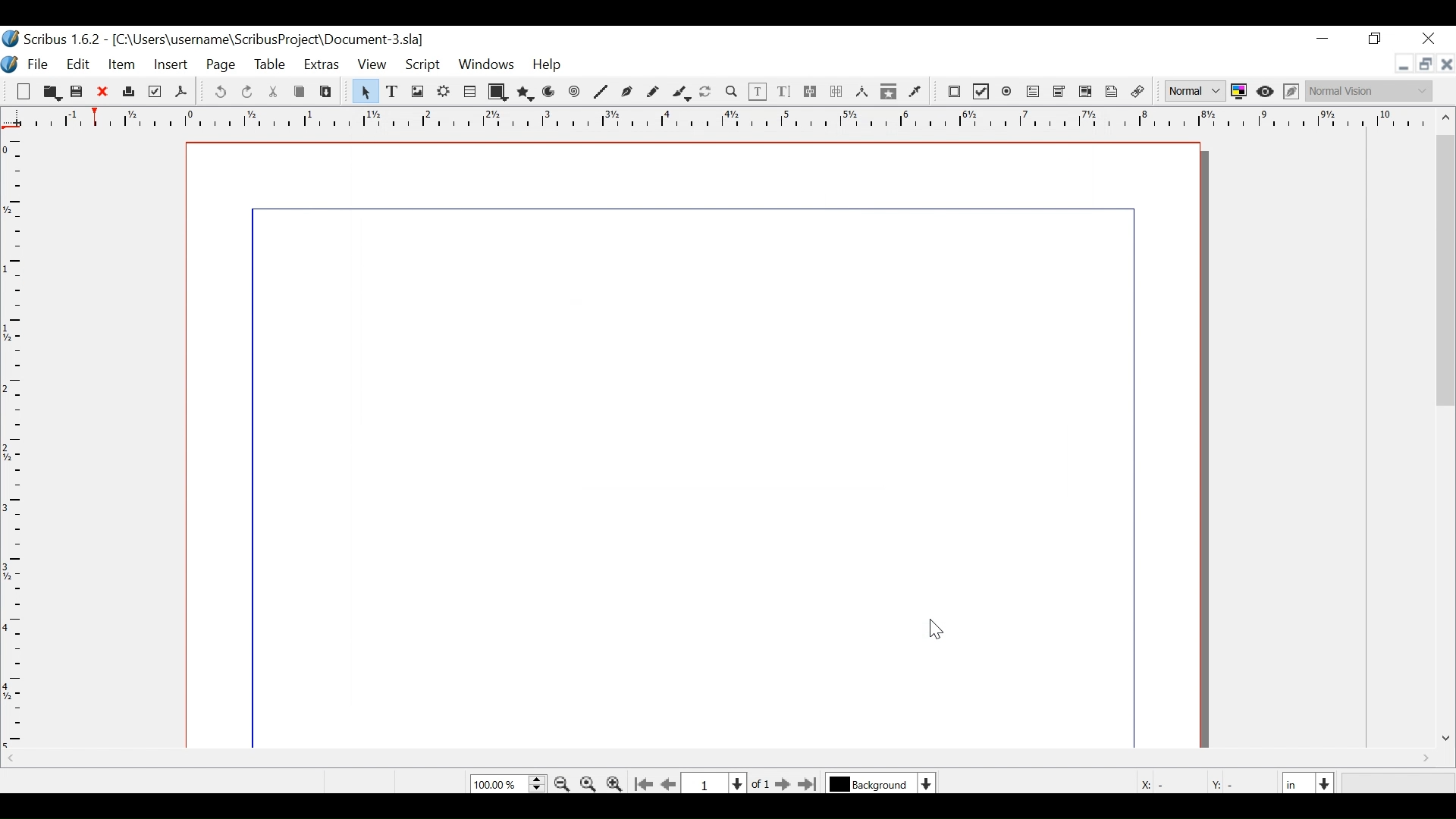 The width and height of the screenshot is (1456, 819). What do you see at coordinates (693, 447) in the screenshot?
I see `File` at bounding box center [693, 447].